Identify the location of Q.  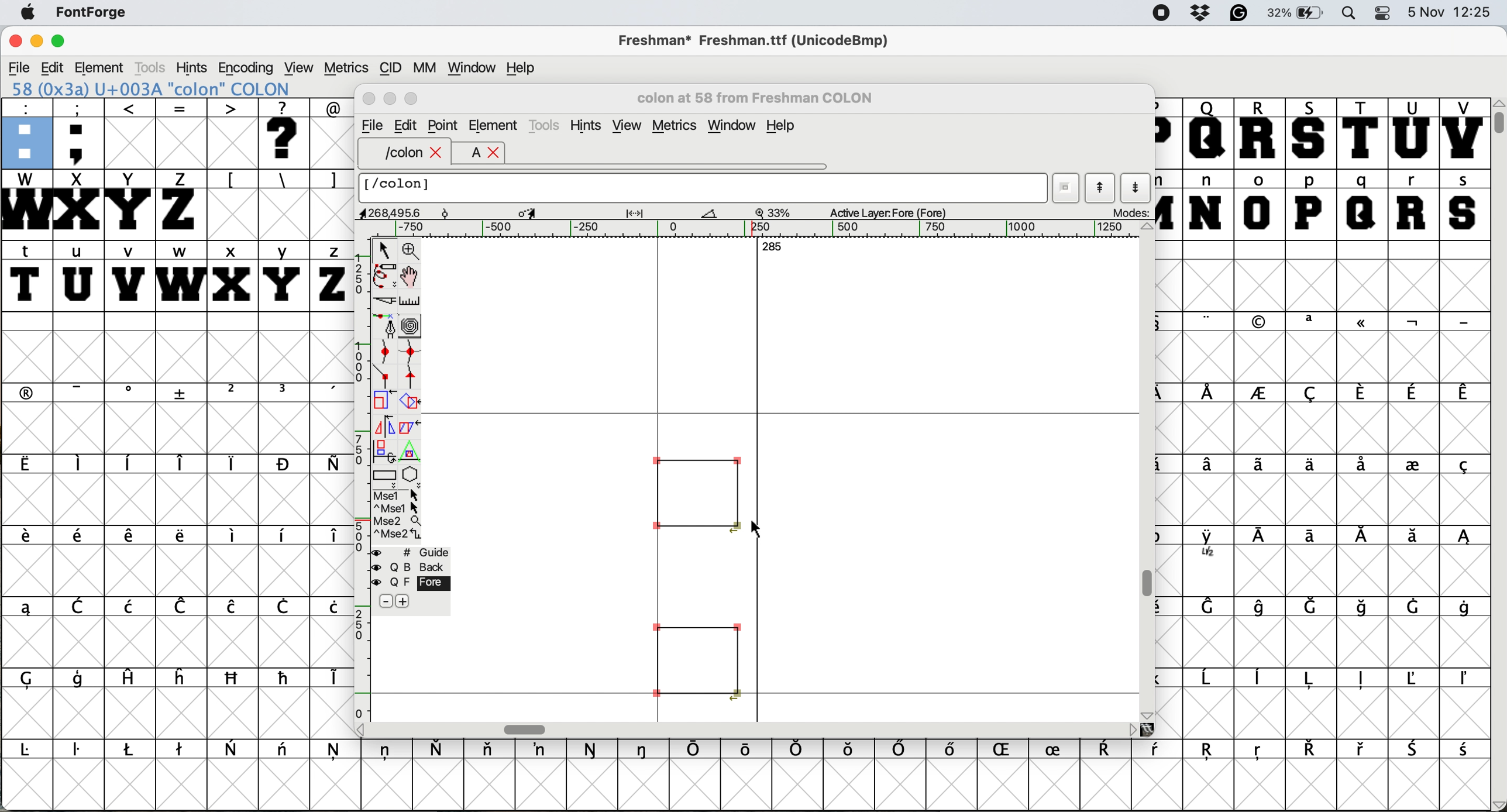
(1209, 133).